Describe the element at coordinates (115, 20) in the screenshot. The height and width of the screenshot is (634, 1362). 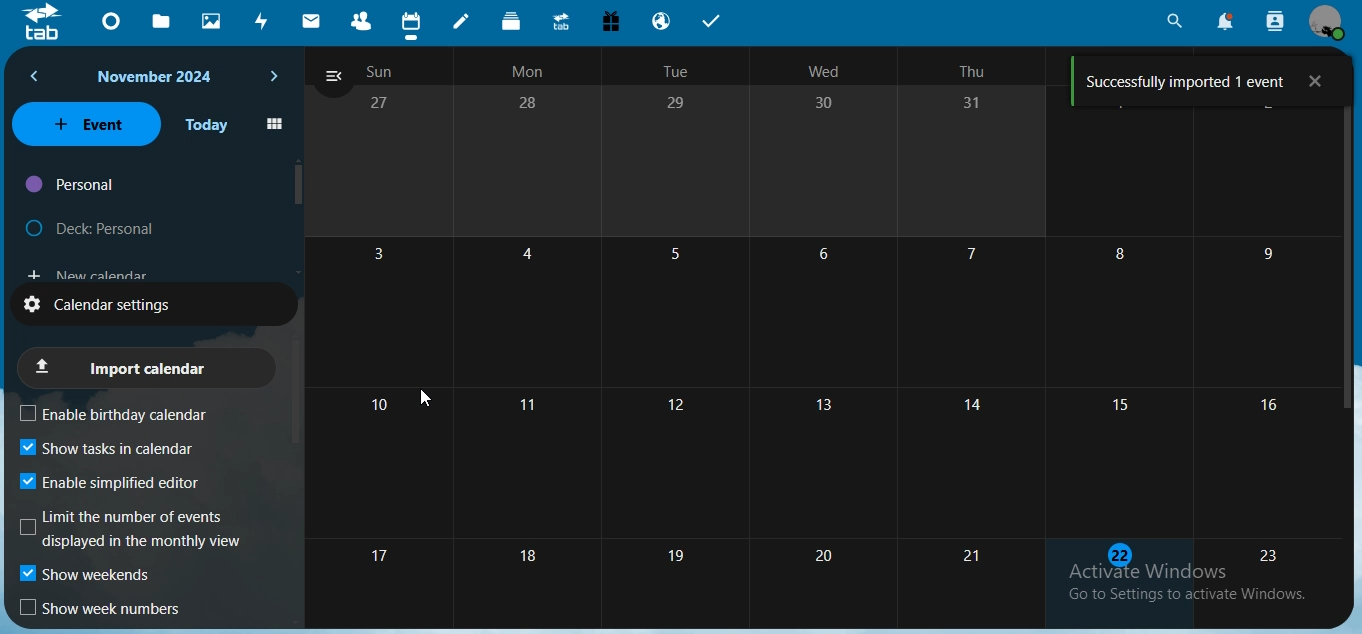
I see `dashboard` at that location.